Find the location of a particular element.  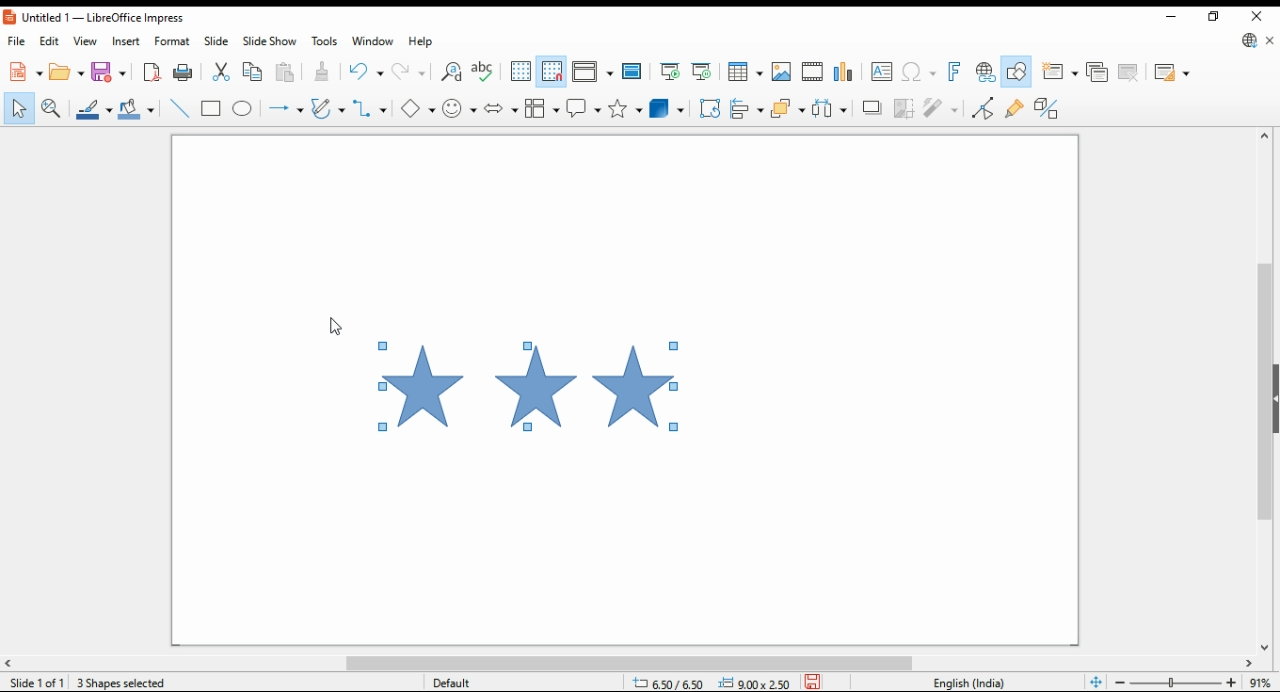

slide show is located at coordinates (268, 42).